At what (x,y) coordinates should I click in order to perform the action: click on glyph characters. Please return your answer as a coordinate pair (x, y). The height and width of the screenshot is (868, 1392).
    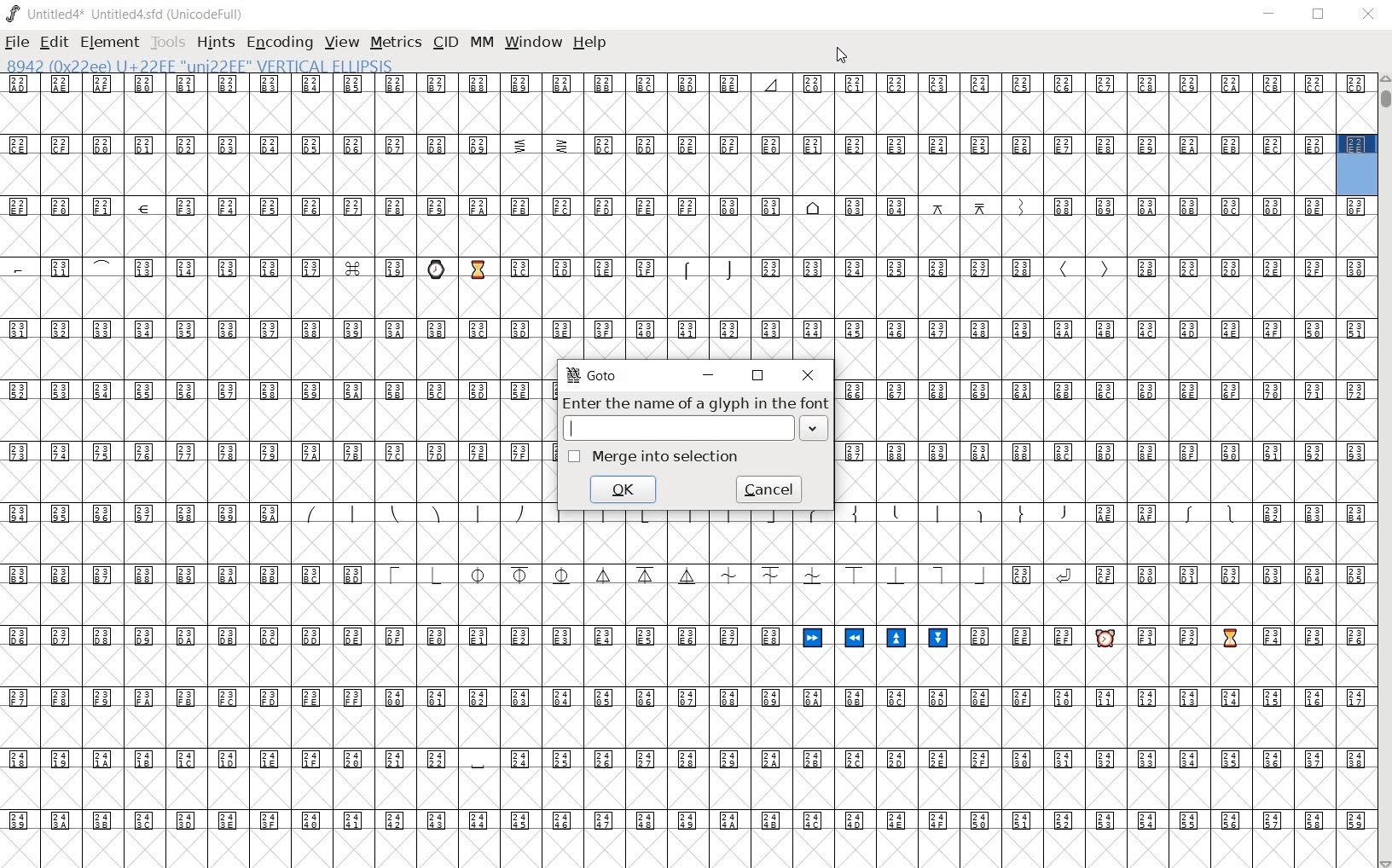
    Looking at the image, I should click on (1105, 440).